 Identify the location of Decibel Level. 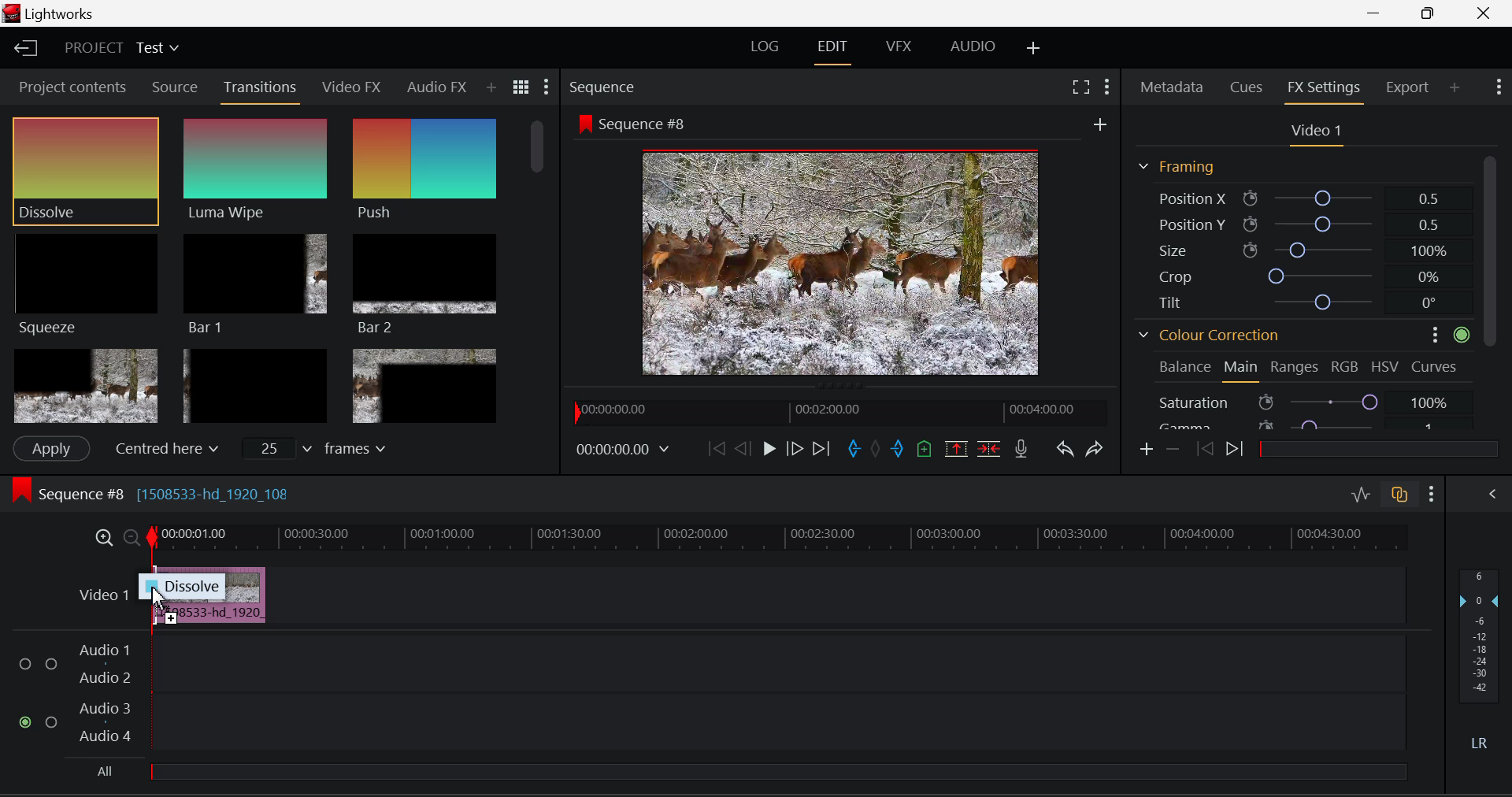
(1484, 662).